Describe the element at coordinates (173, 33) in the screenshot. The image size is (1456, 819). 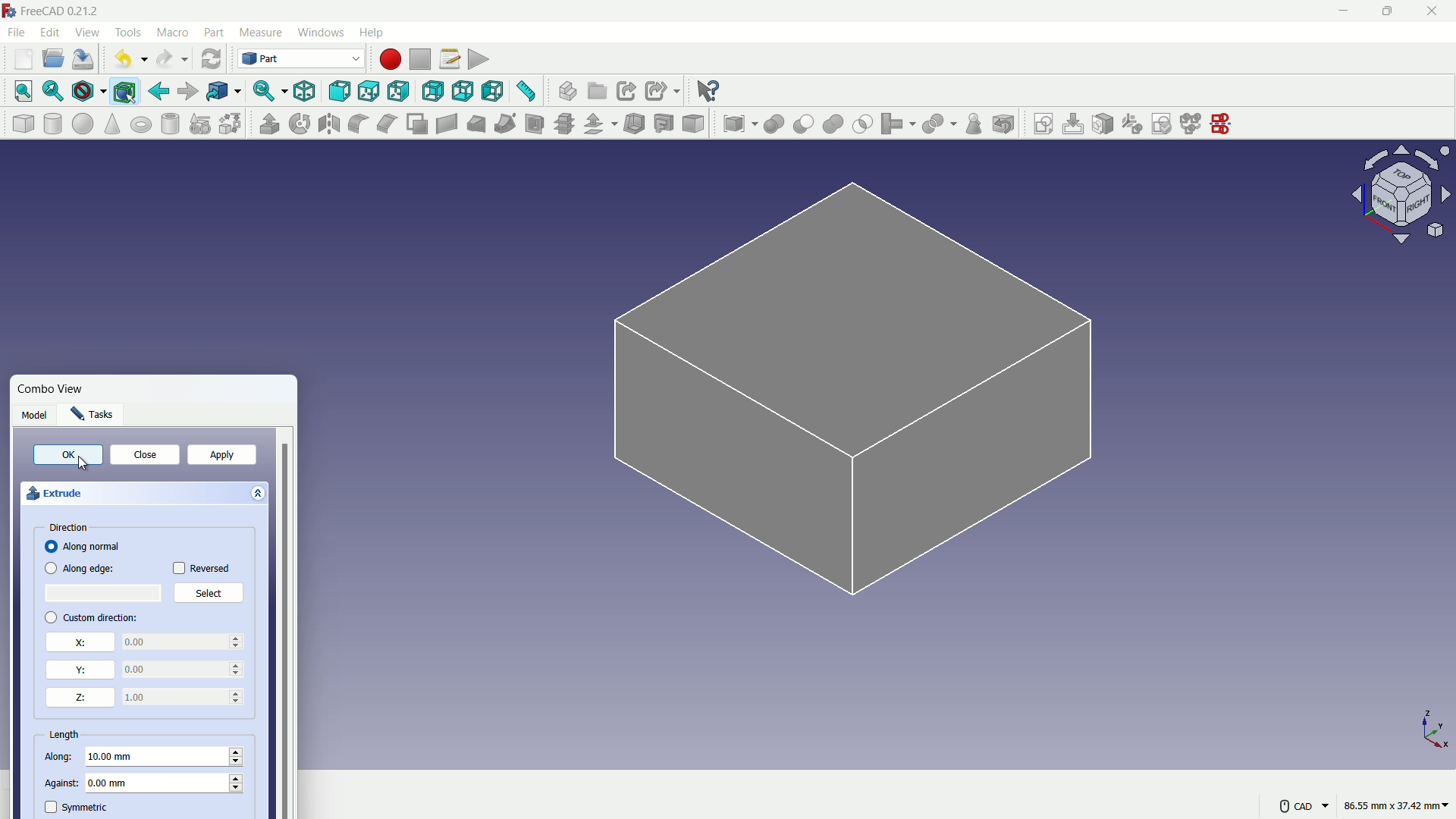
I see `macro` at that location.